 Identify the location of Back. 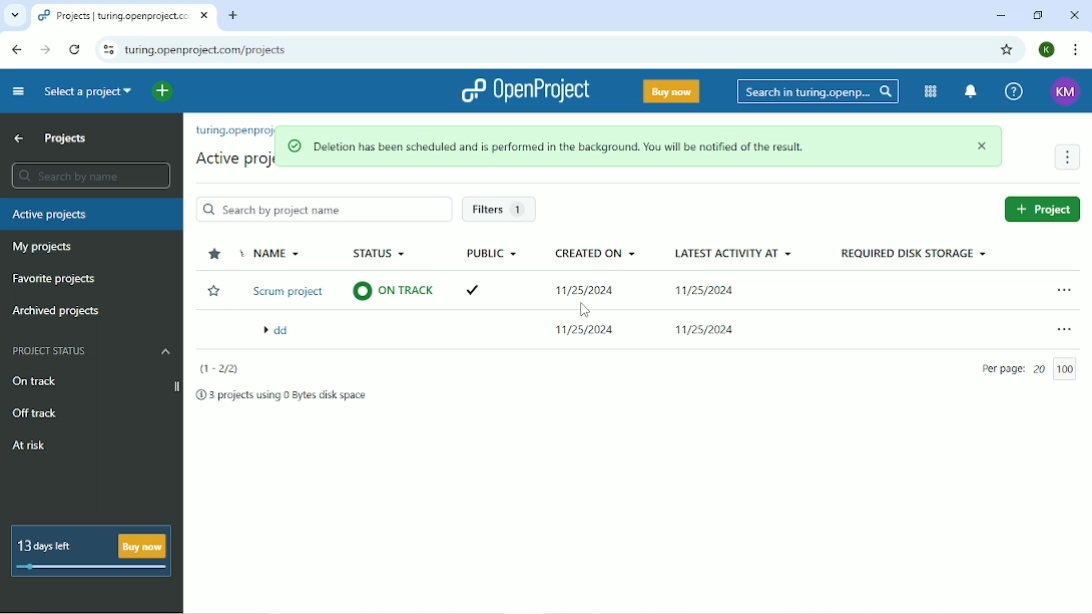
(15, 49).